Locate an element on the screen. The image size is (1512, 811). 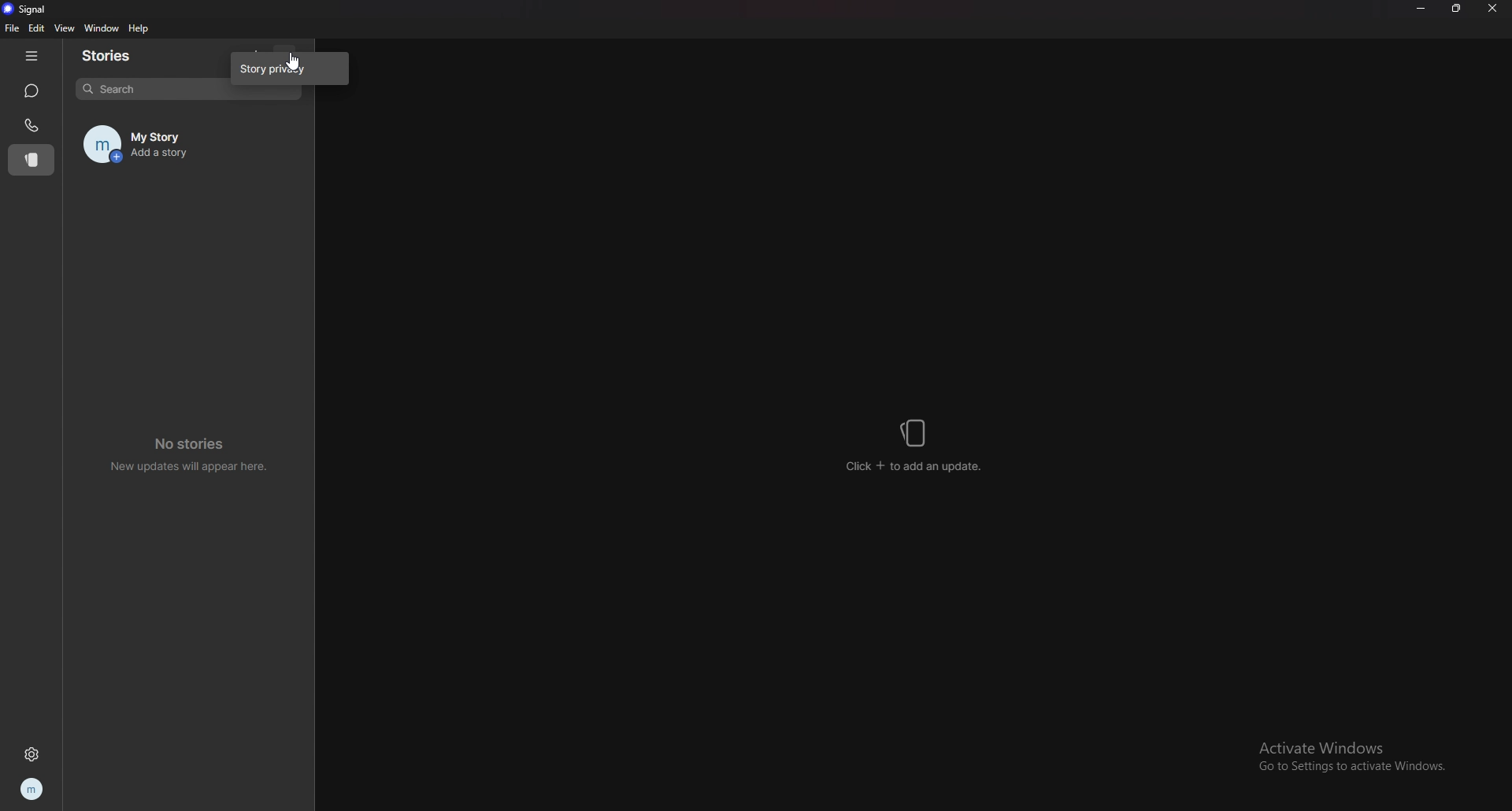
resize is located at coordinates (1456, 9).